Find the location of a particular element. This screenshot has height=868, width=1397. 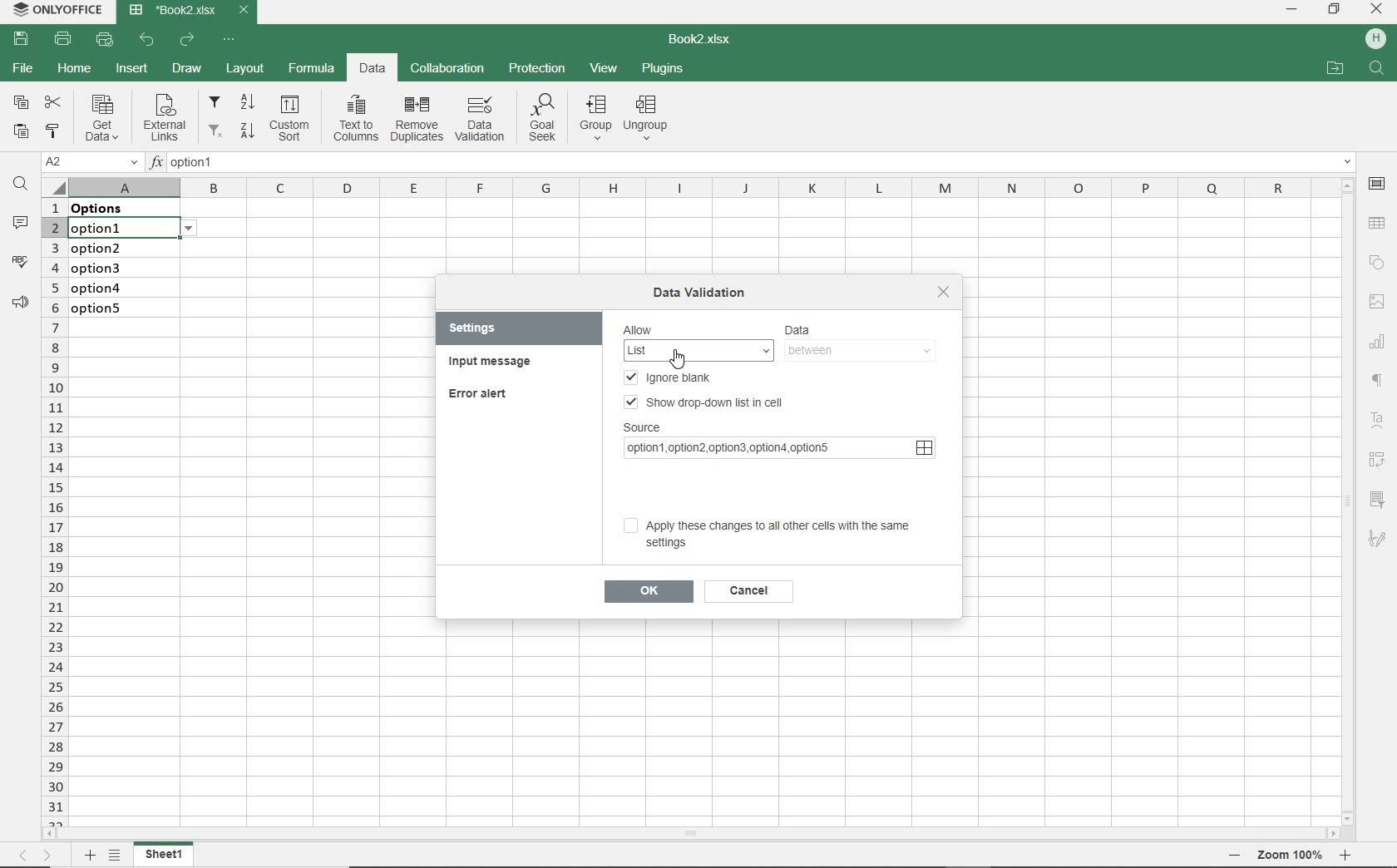

DOCUMENT NAME is located at coordinates (190, 10).